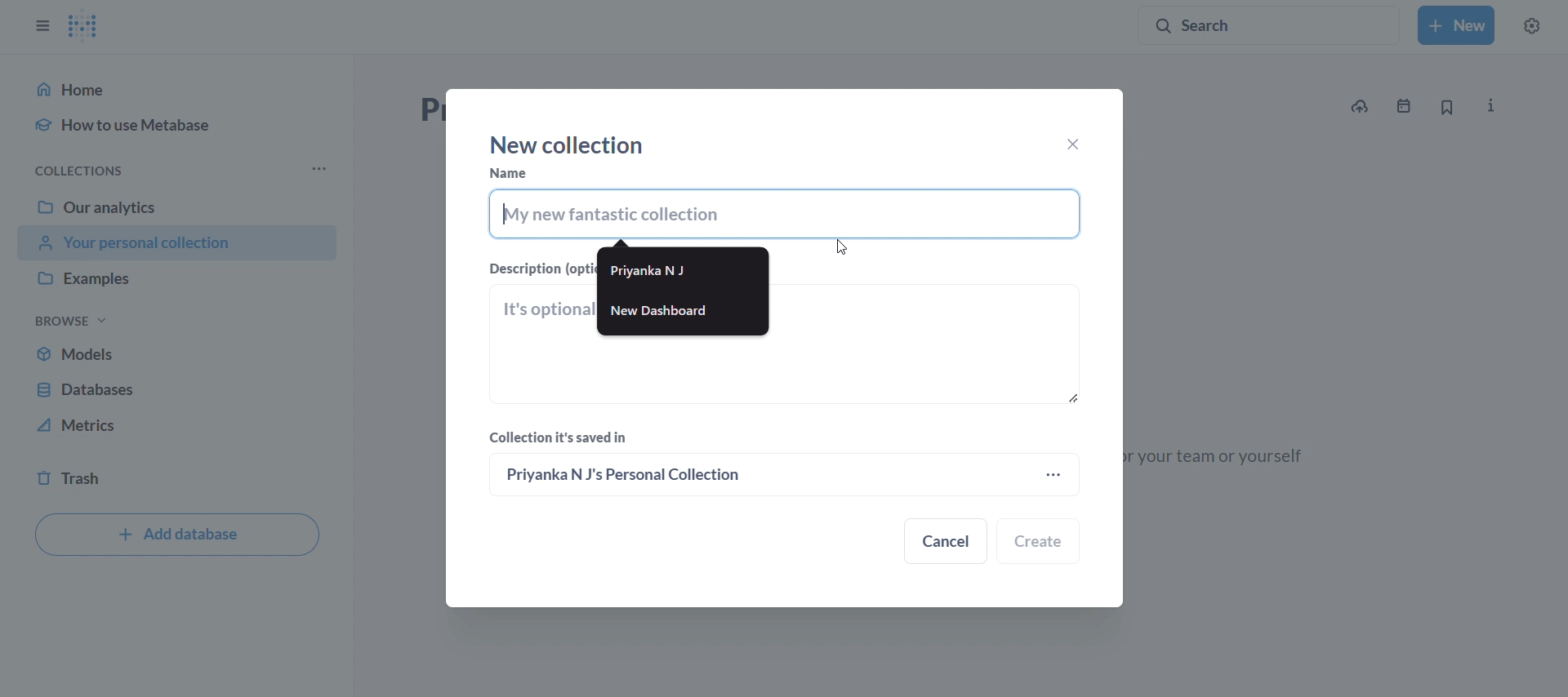 The height and width of the screenshot is (697, 1568). I want to click on bookmark, so click(1448, 109).